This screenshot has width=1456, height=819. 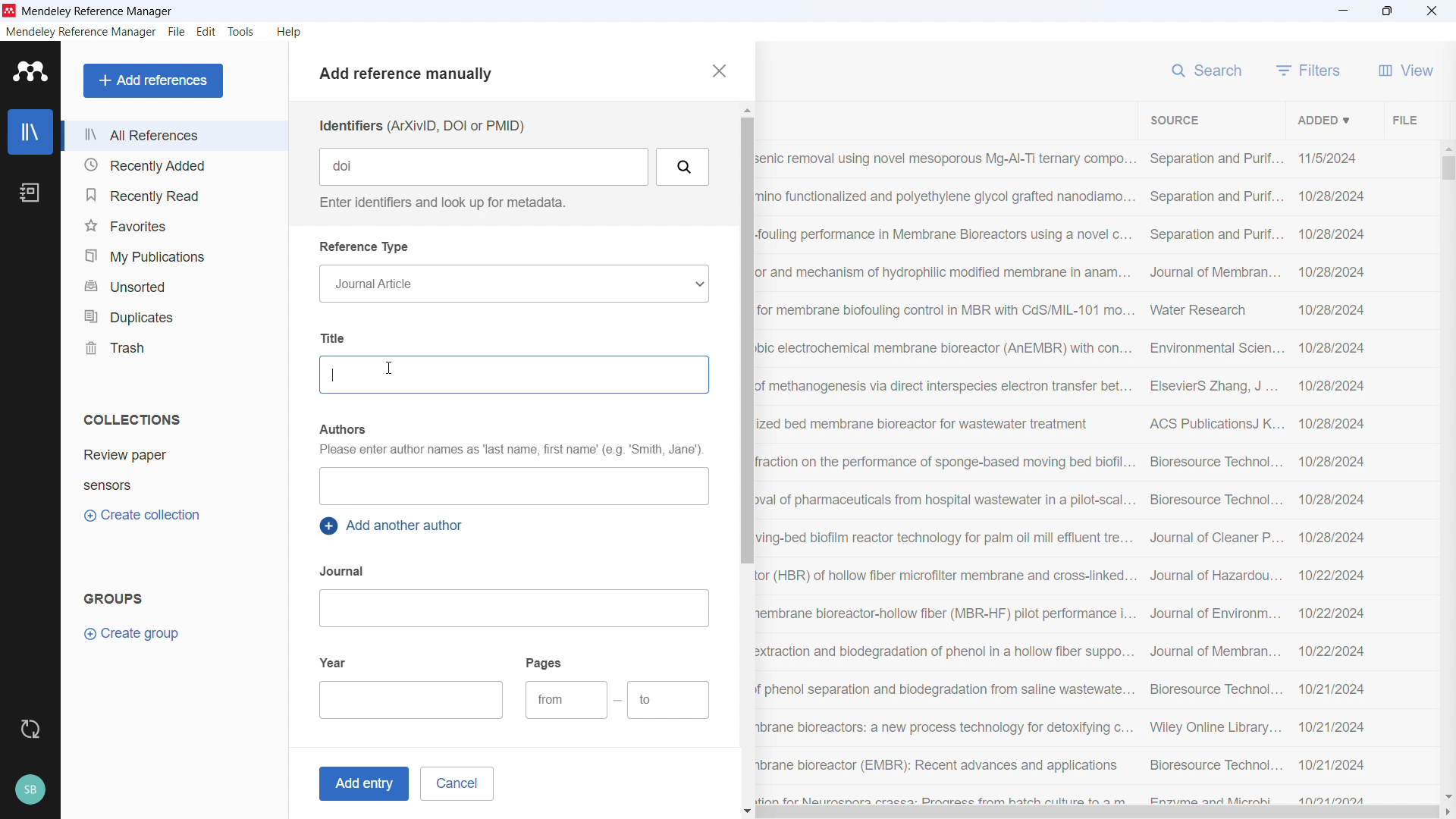 What do you see at coordinates (513, 375) in the screenshot?
I see `Box selected` at bounding box center [513, 375].